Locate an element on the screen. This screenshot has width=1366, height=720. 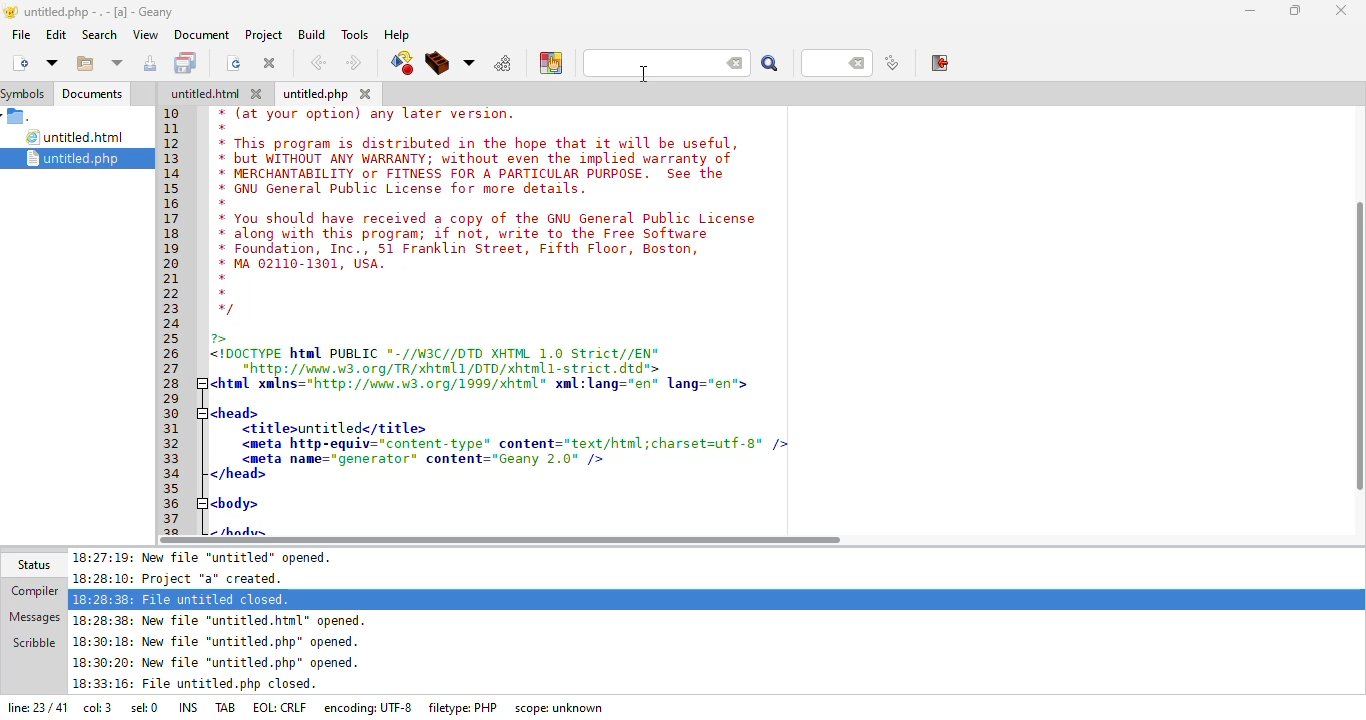
maximize is located at coordinates (1296, 10).